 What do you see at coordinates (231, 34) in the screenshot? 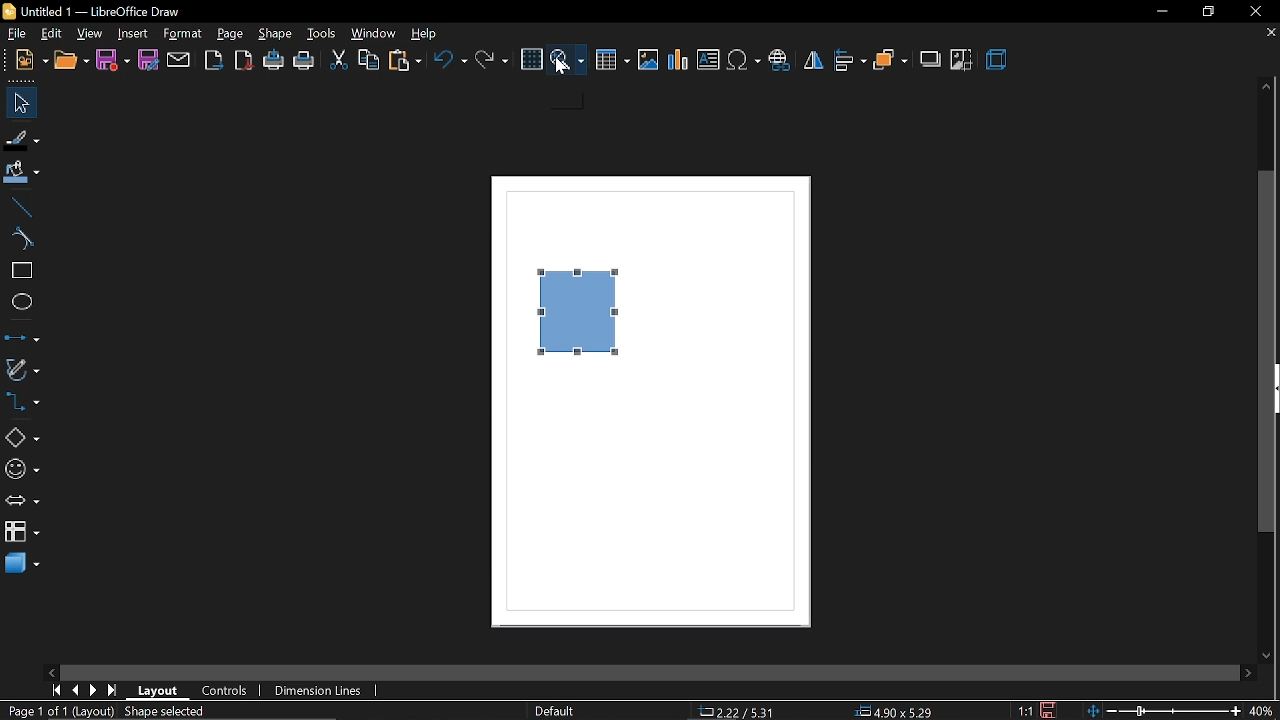
I see `page` at bounding box center [231, 34].